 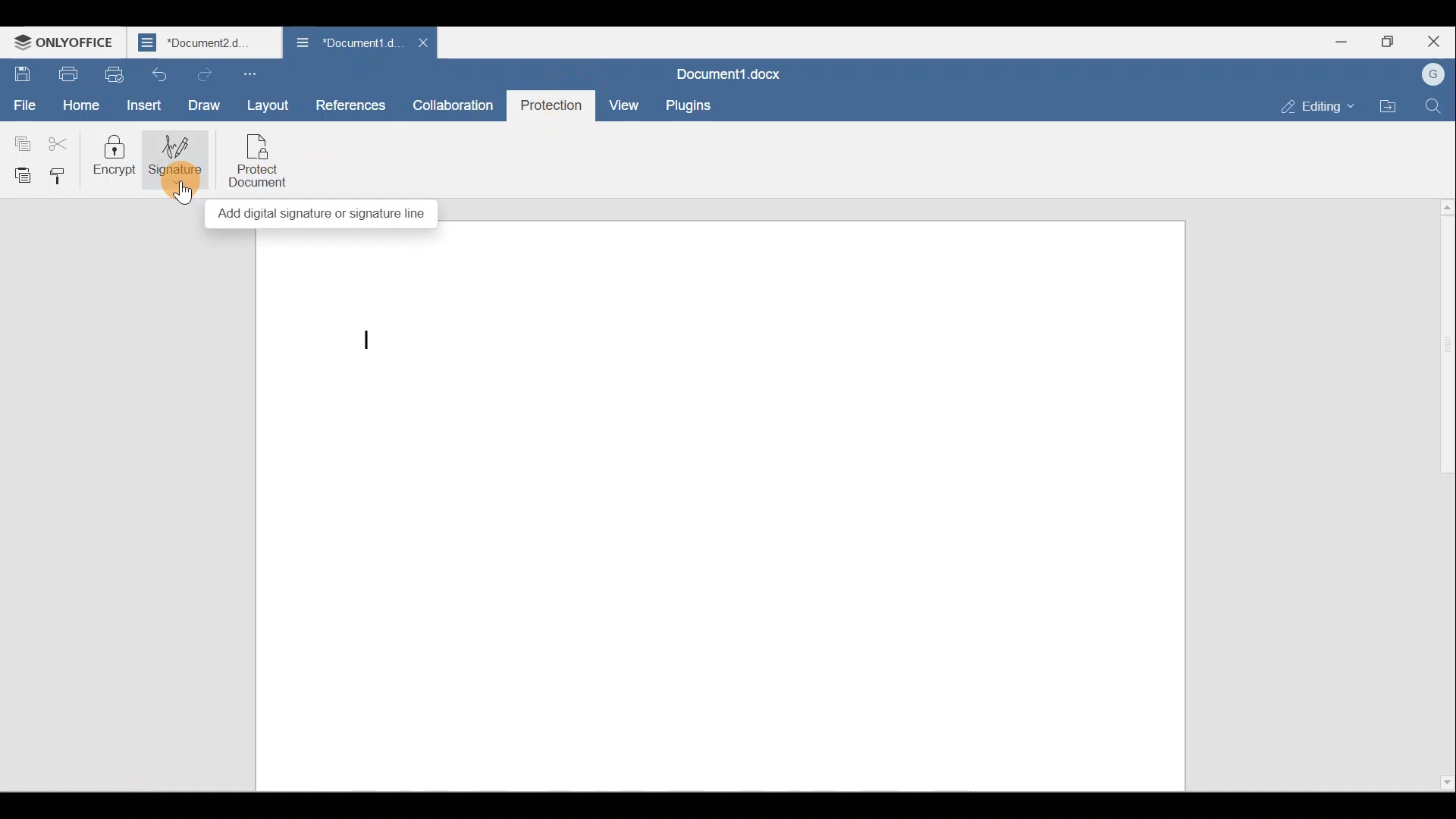 What do you see at coordinates (265, 102) in the screenshot?
I see `Layout` at bounding box center [265, 102].